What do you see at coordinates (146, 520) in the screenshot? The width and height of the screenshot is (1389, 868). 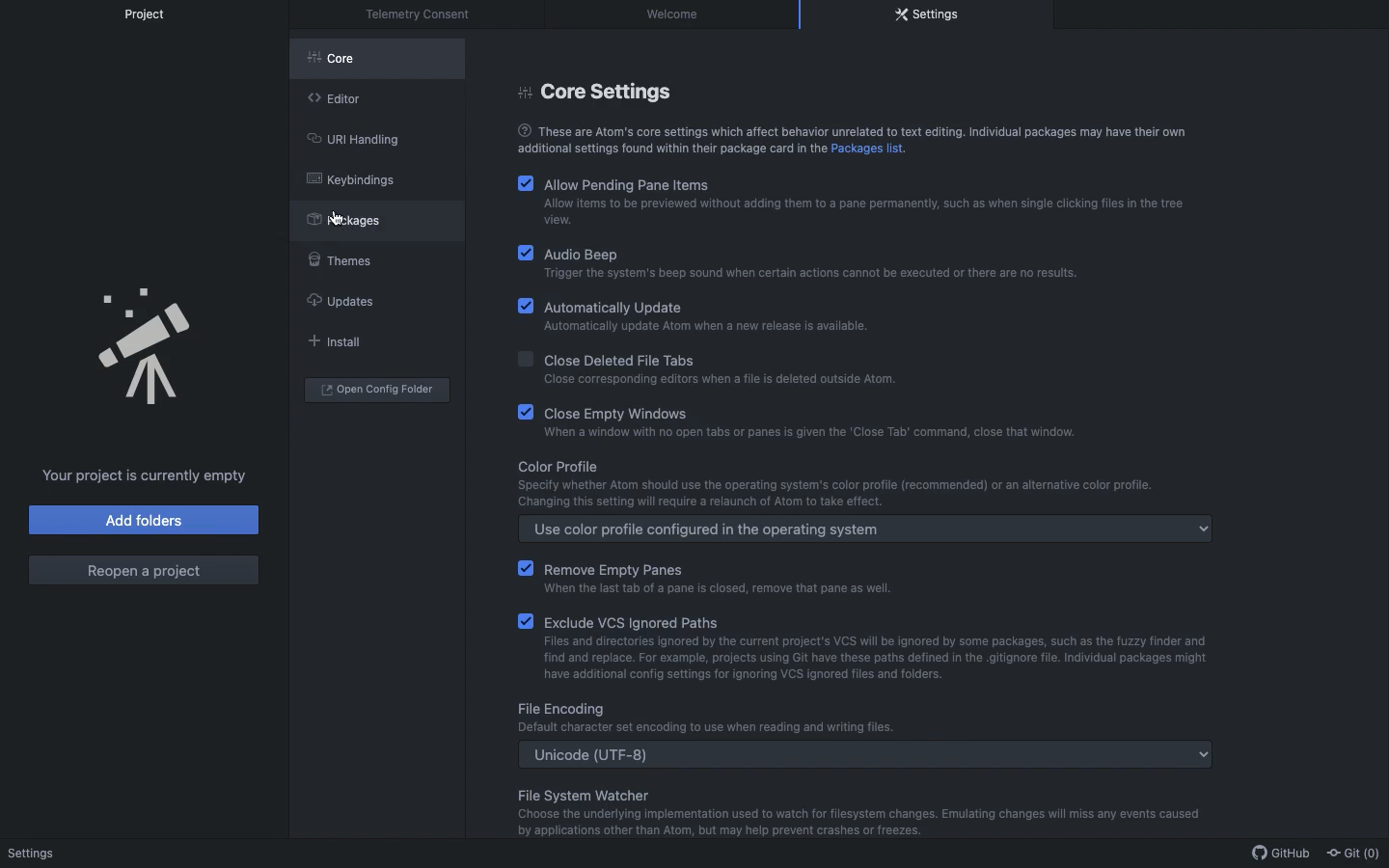 I see `Add folders` at bounding box center [146, 520].